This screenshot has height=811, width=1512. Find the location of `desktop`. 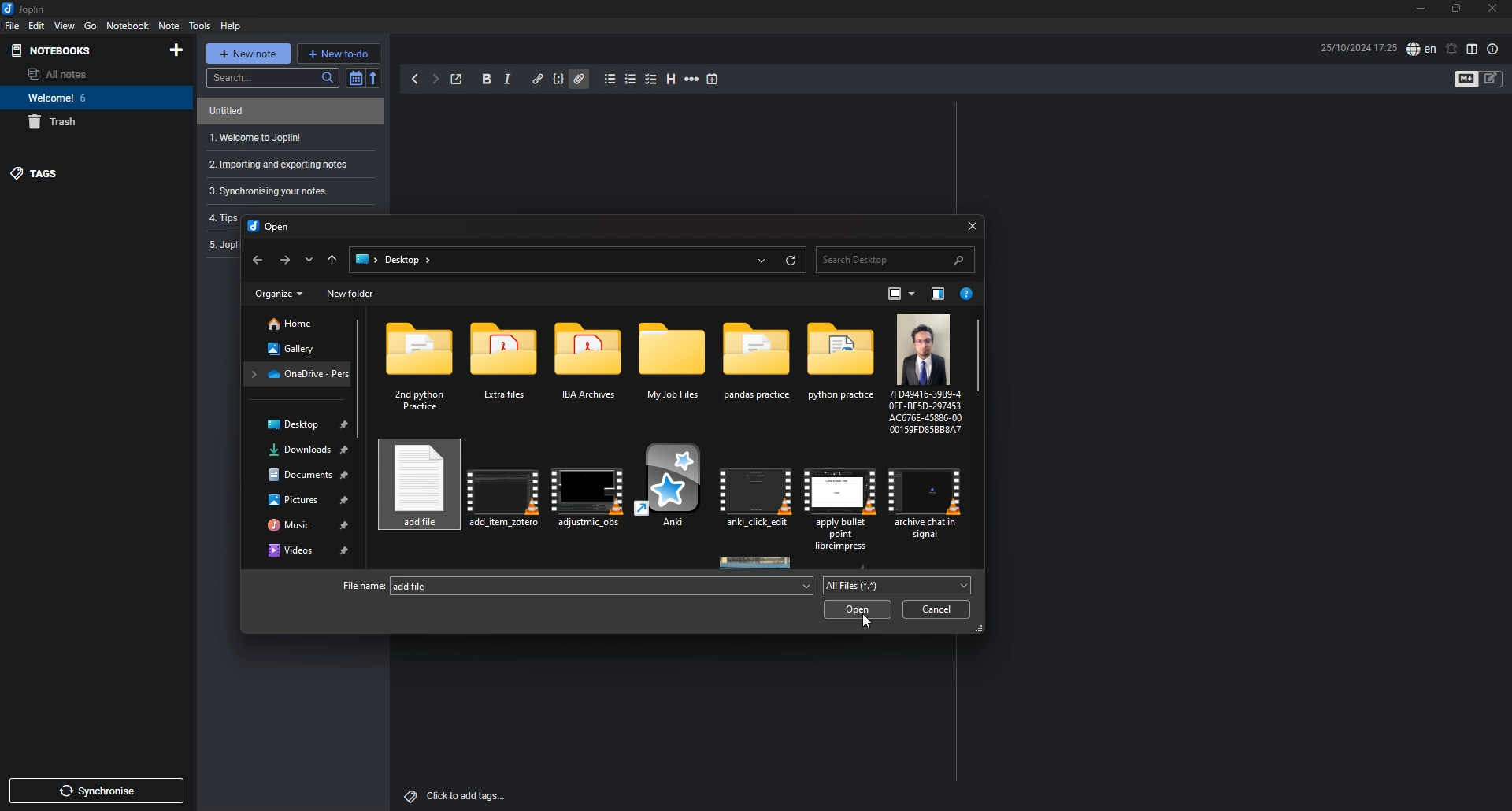

desktop is located at coordinates (409, 261).